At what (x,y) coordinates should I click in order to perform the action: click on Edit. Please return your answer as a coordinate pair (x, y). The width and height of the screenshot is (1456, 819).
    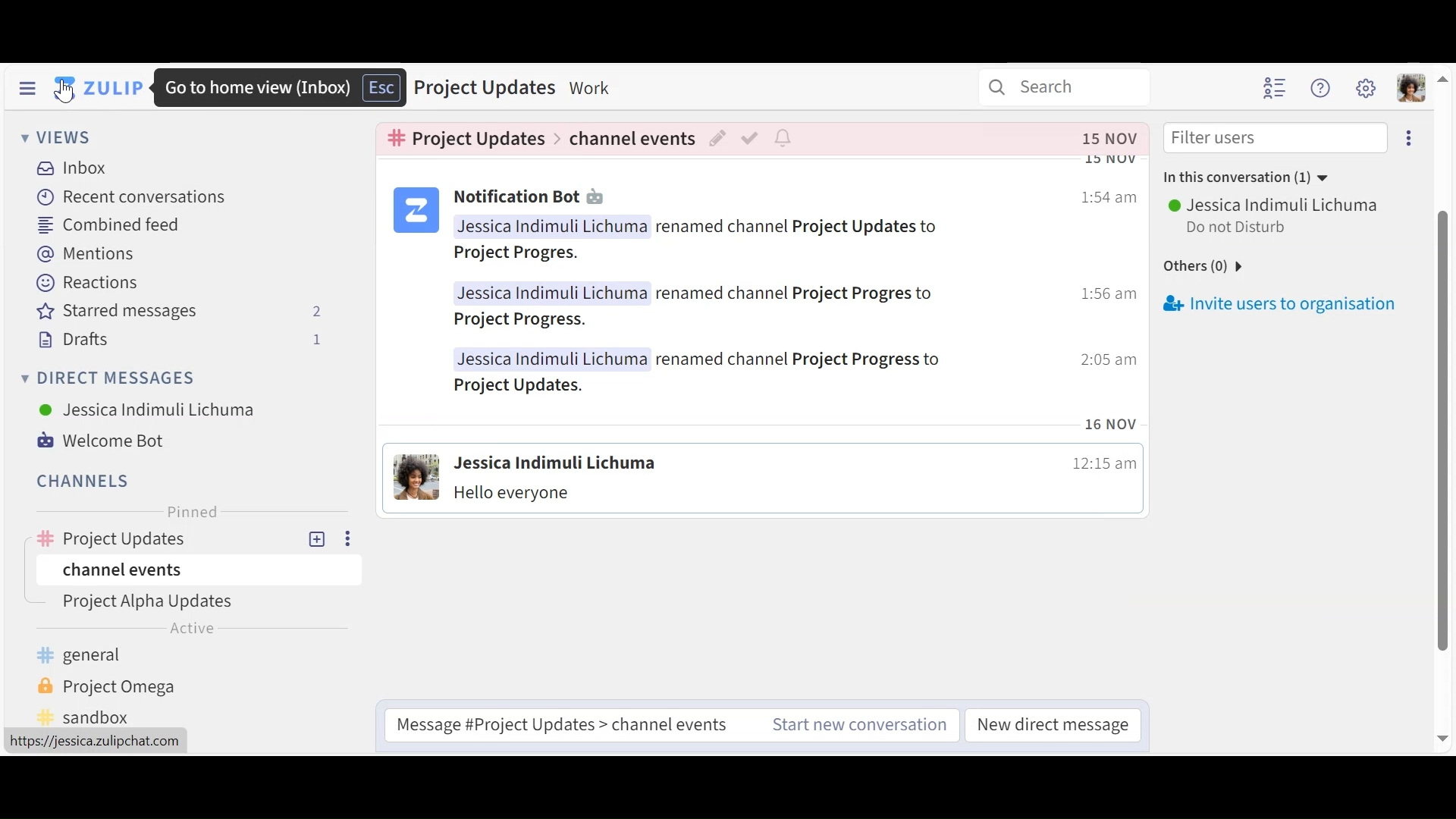
    Looking at the image, I should click on (718, 140).